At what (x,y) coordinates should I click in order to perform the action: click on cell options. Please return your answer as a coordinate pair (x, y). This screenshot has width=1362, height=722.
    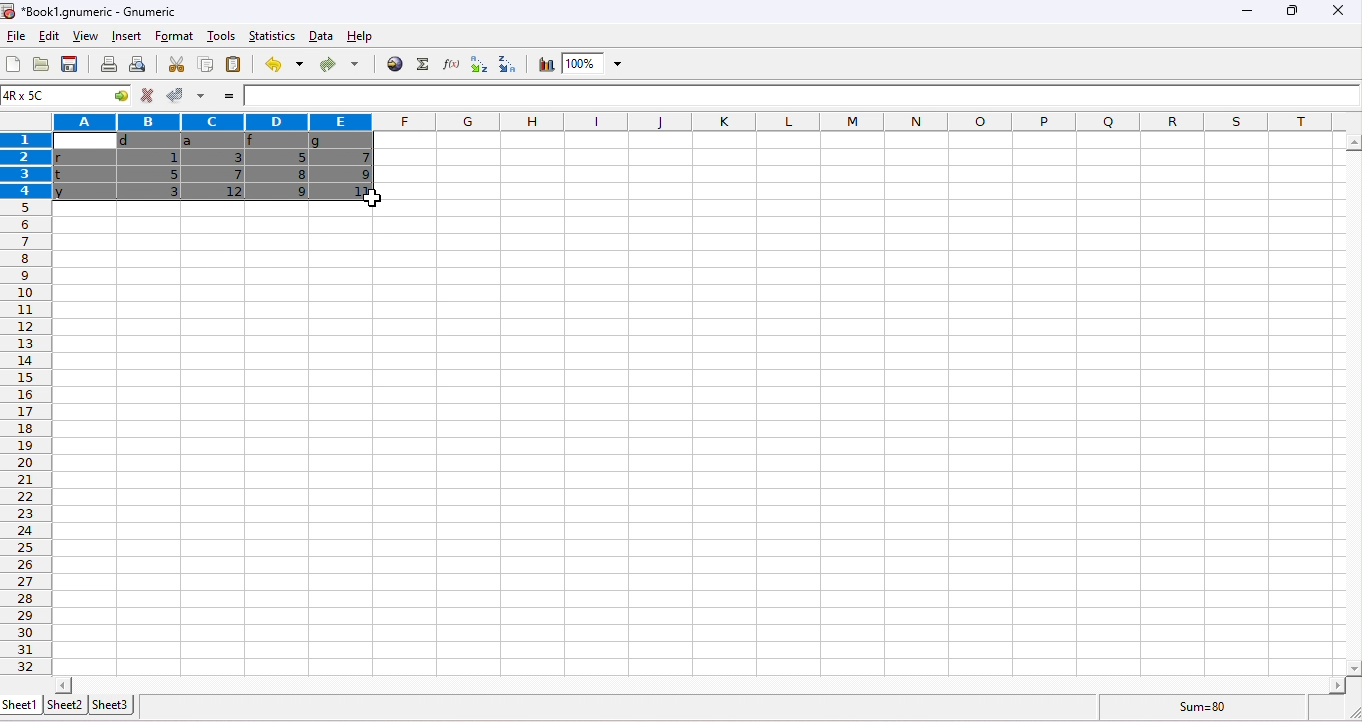
    Looking at the image, I should click on (117, 96).